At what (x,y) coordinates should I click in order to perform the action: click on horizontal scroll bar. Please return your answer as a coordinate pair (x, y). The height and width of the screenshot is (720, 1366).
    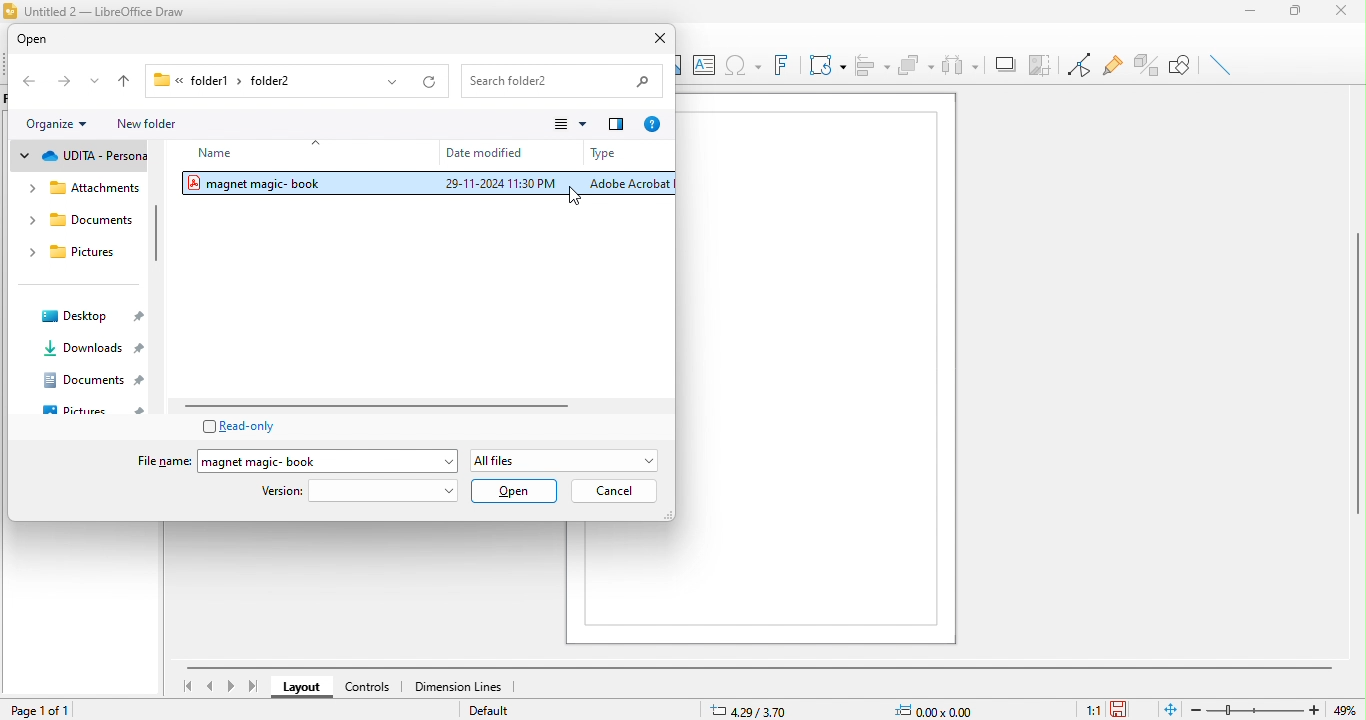
    Looking at the image, I should click on (759, 664).